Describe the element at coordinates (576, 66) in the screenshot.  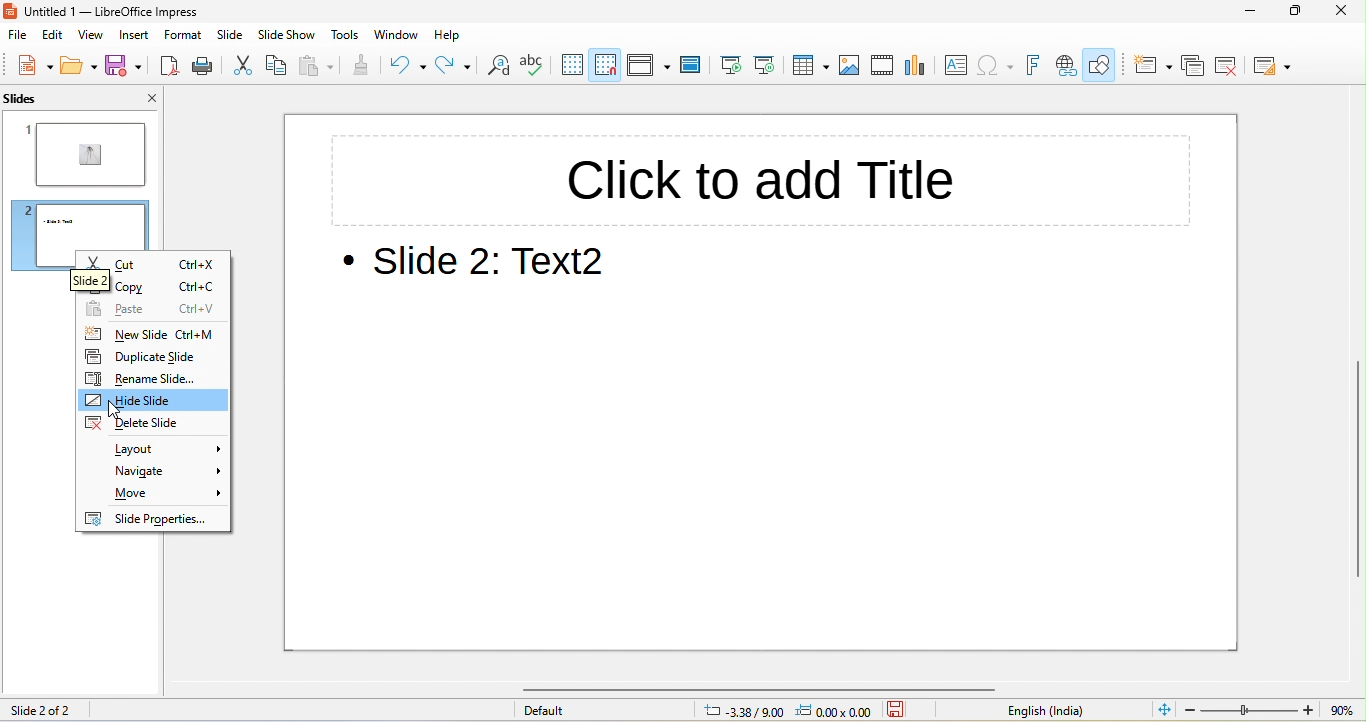
I see `display grid` at that location.